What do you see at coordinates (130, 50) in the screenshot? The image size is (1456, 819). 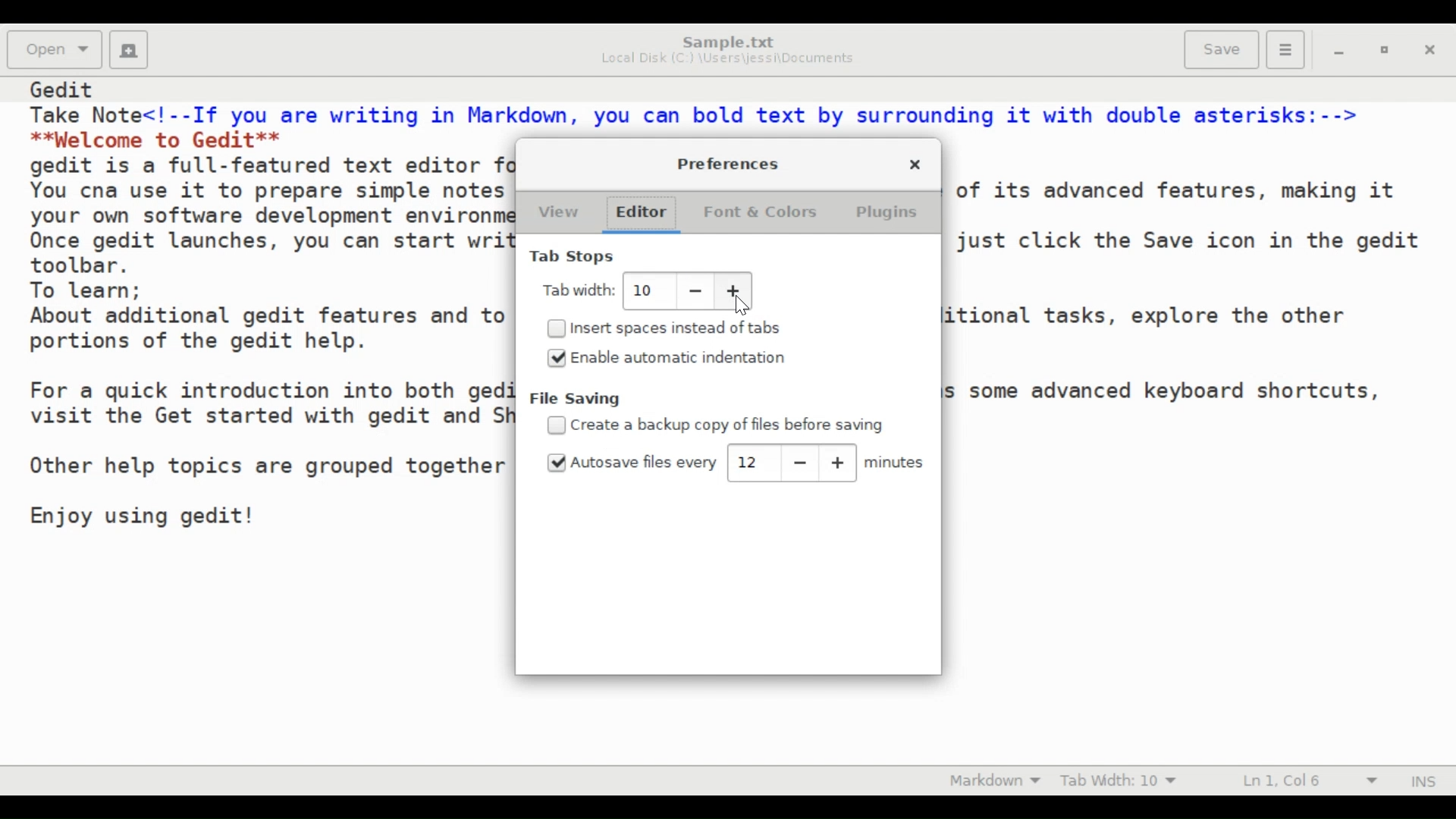 I see `Create a new document` at bounding box center [130, 50].